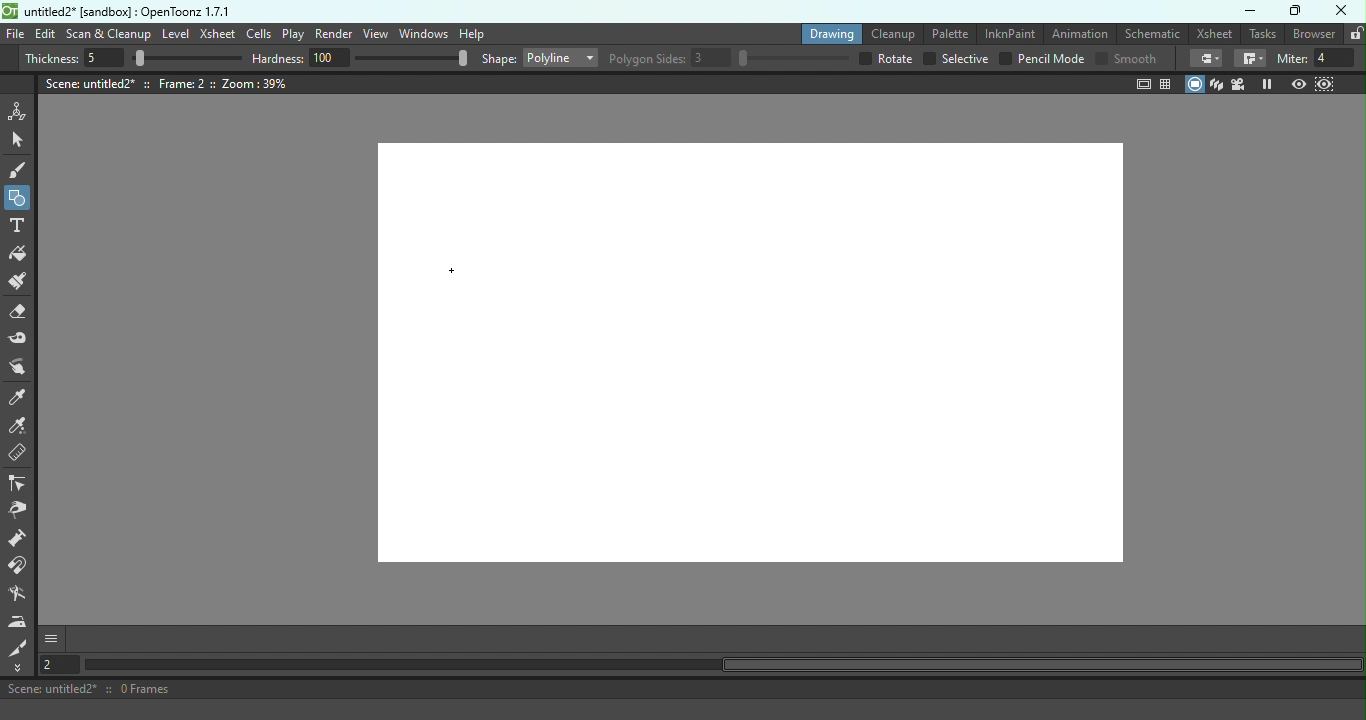 The width and height of the screenshot is (1366, 720). What do you see at coordinates (1300, 82) in the screenshot?
I see `Preview` at bounding box center [1300, 82].